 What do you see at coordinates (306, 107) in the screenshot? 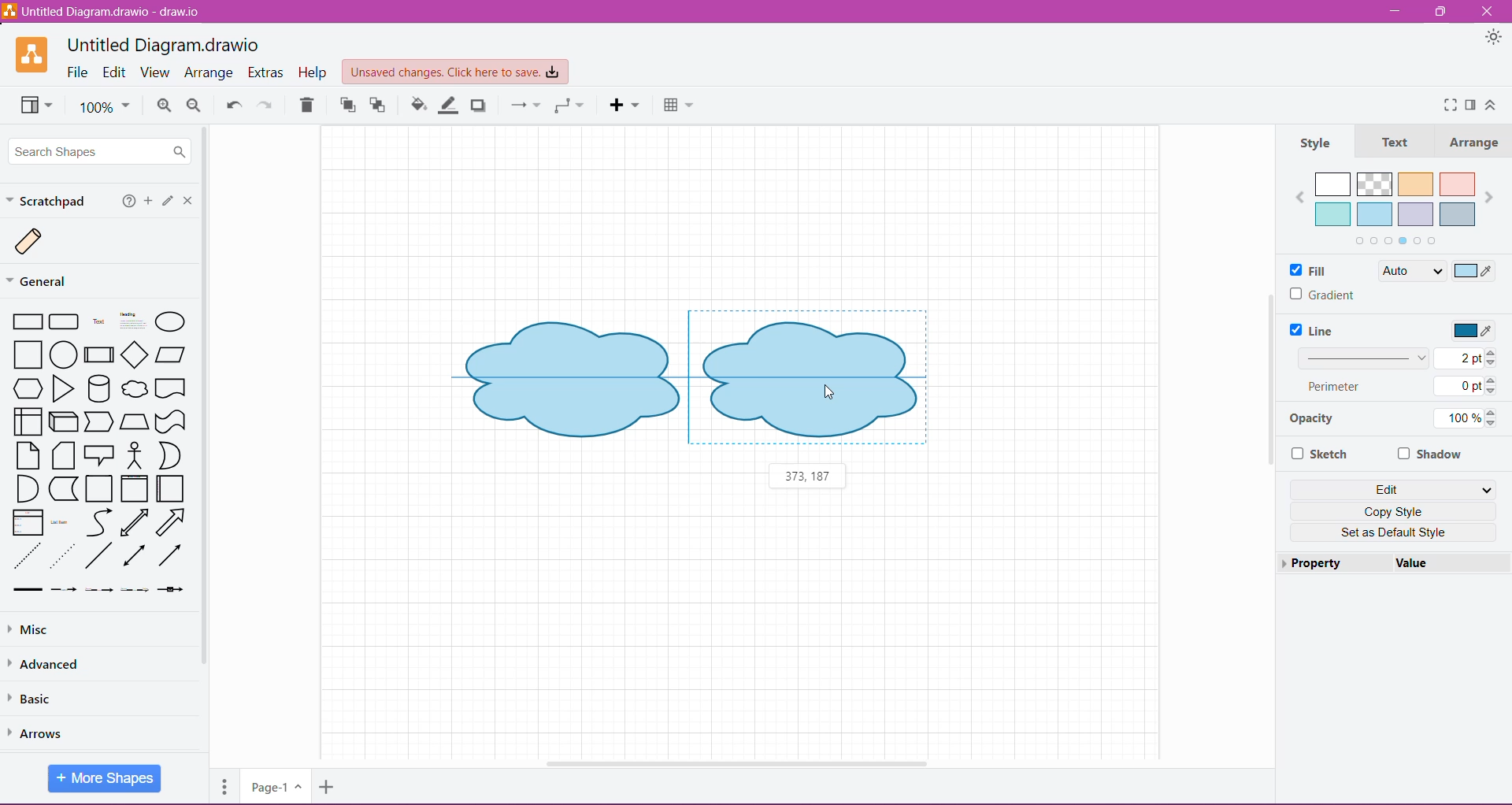
I see `Trash` at bounding box center [306, 107].